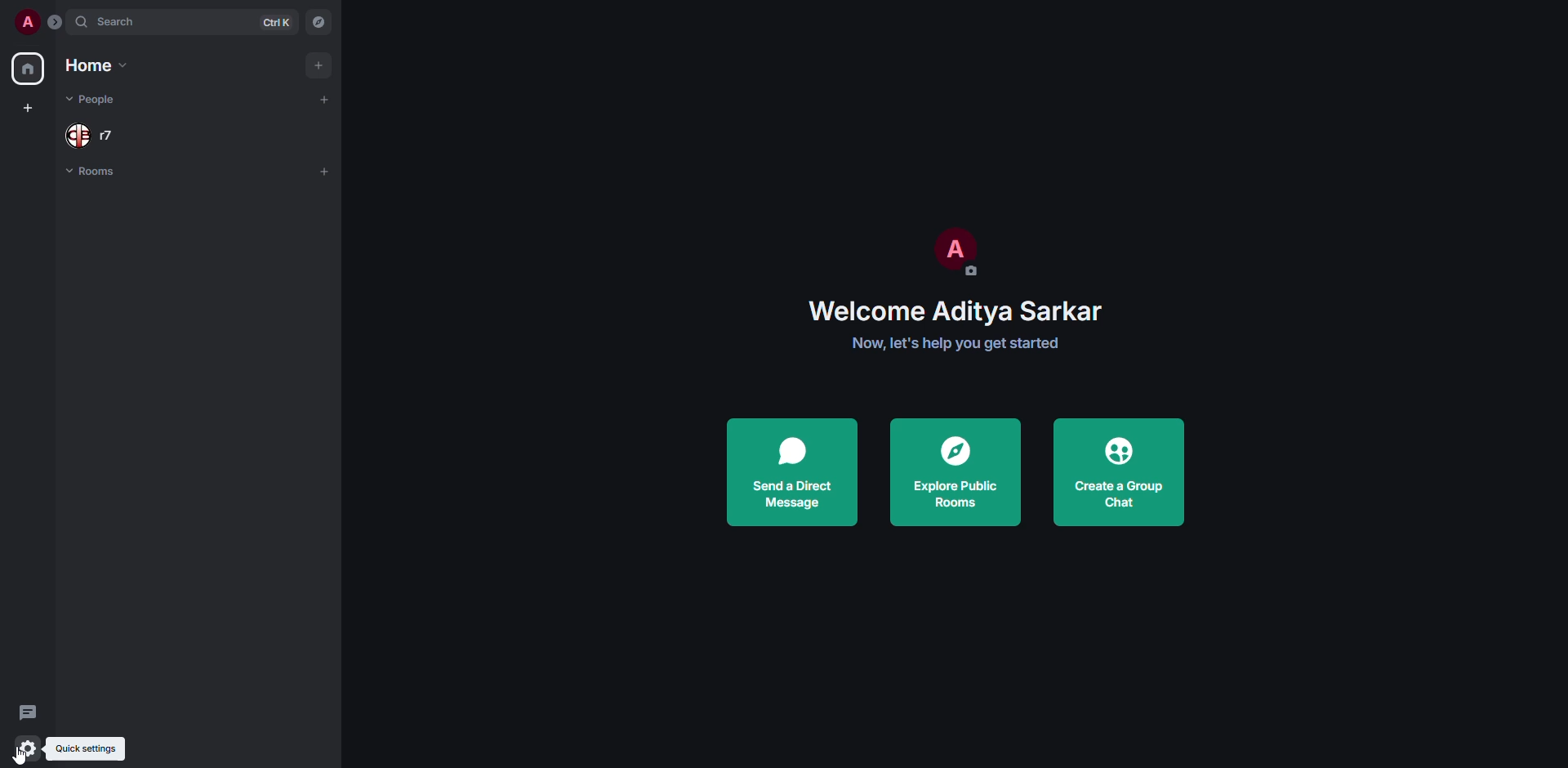 This screenshot has height=768, width=1568. I want to click on rooms, so click(91, 175).